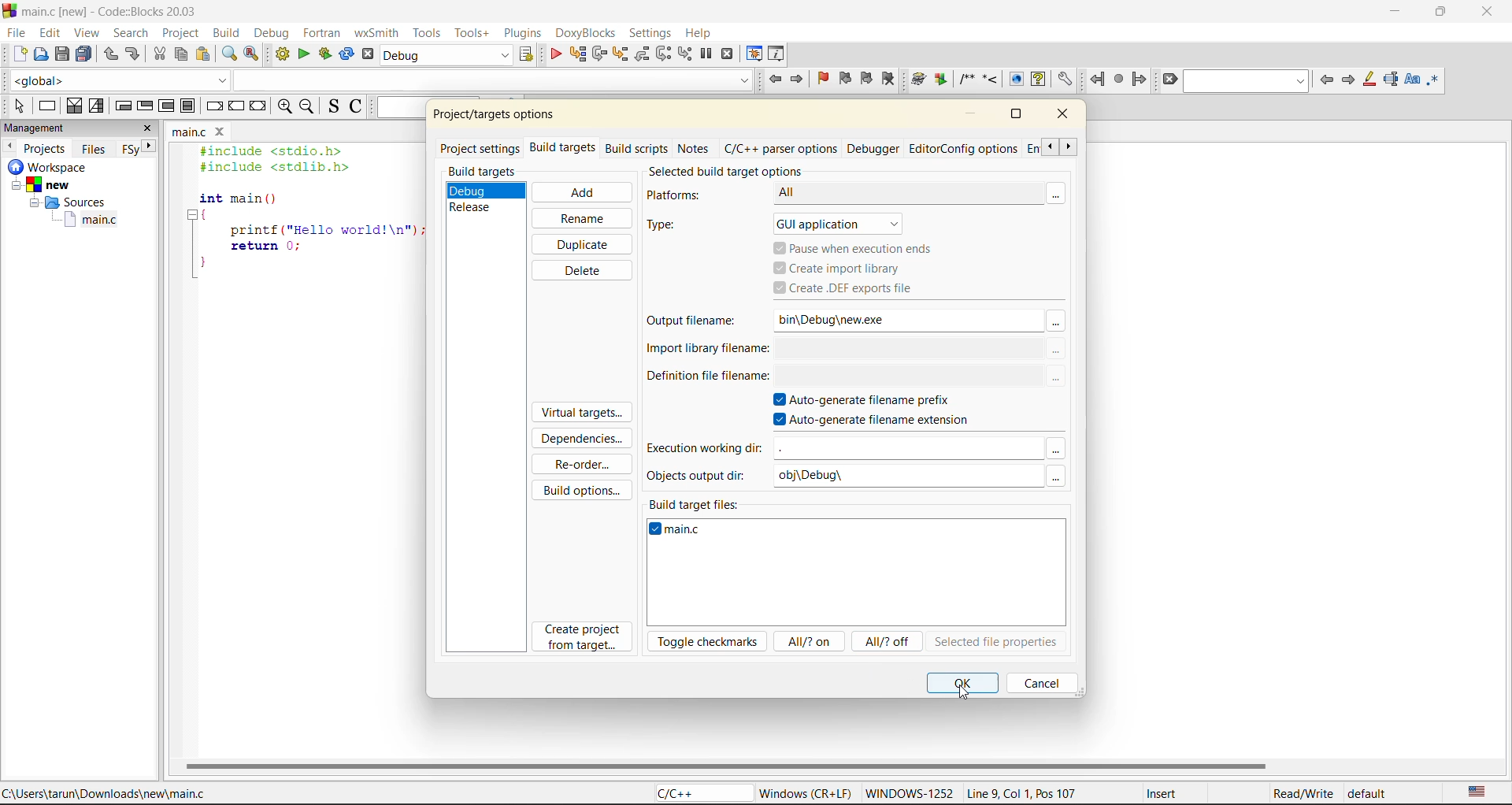  I want to click on default, so click(1370, 792).